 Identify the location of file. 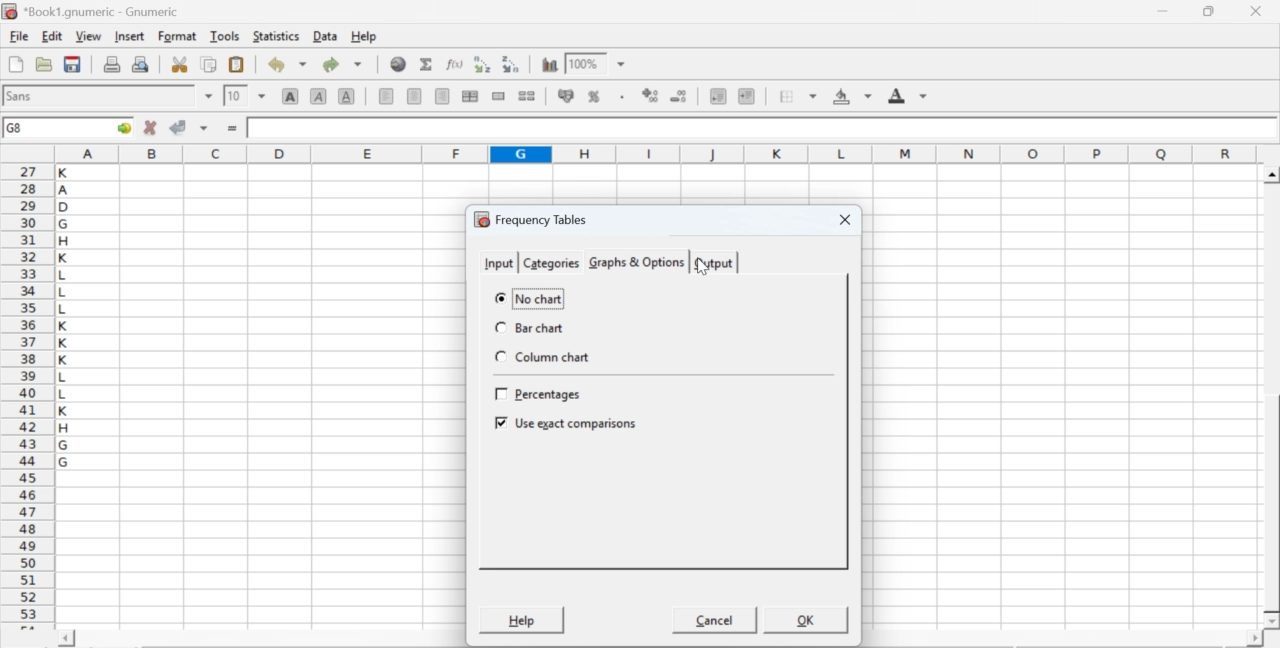
(18, 37).